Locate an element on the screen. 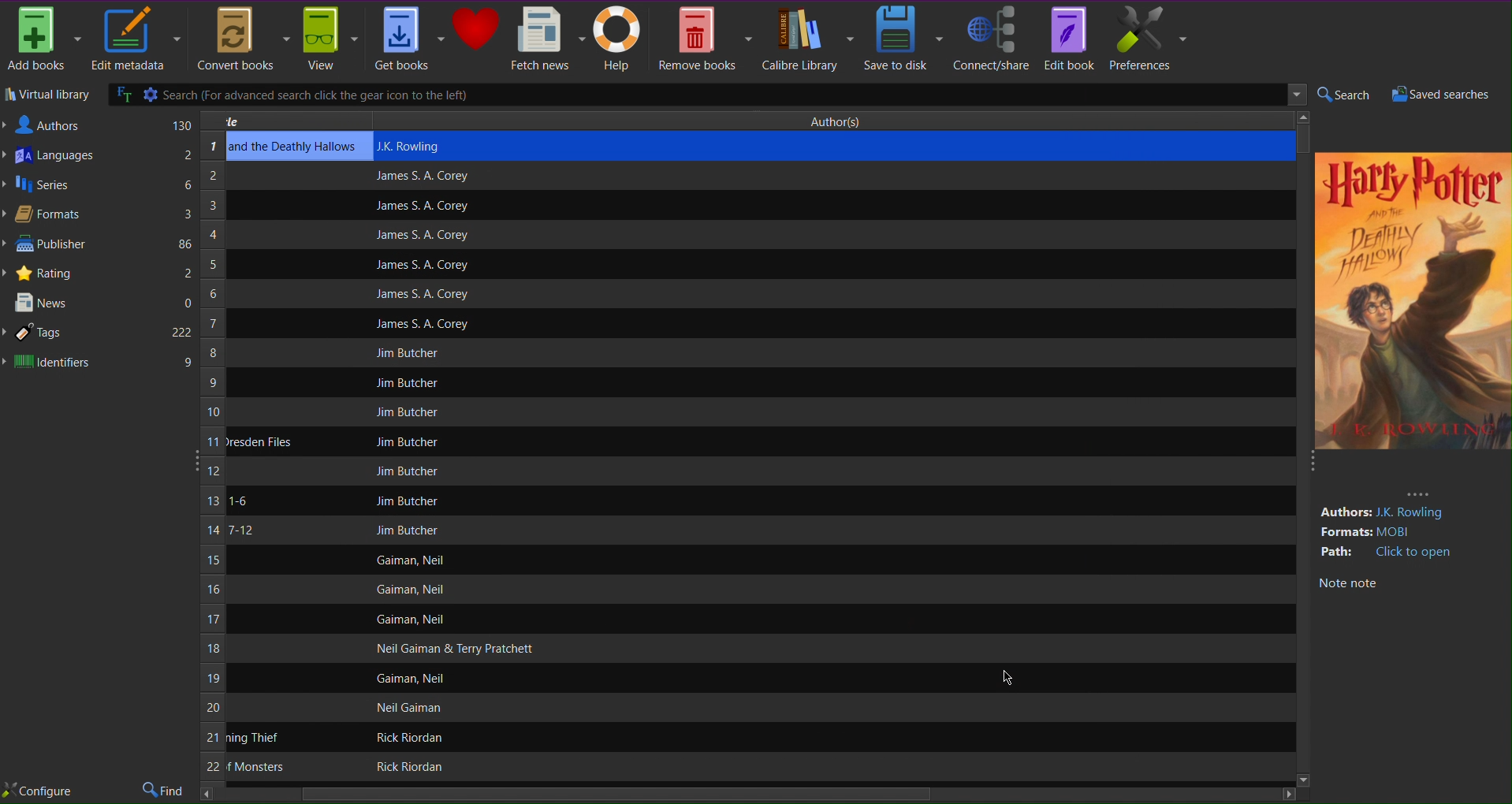 This screenshot has width=1512, height=804. James S. A. Corey is located at coordinates (420, 266).